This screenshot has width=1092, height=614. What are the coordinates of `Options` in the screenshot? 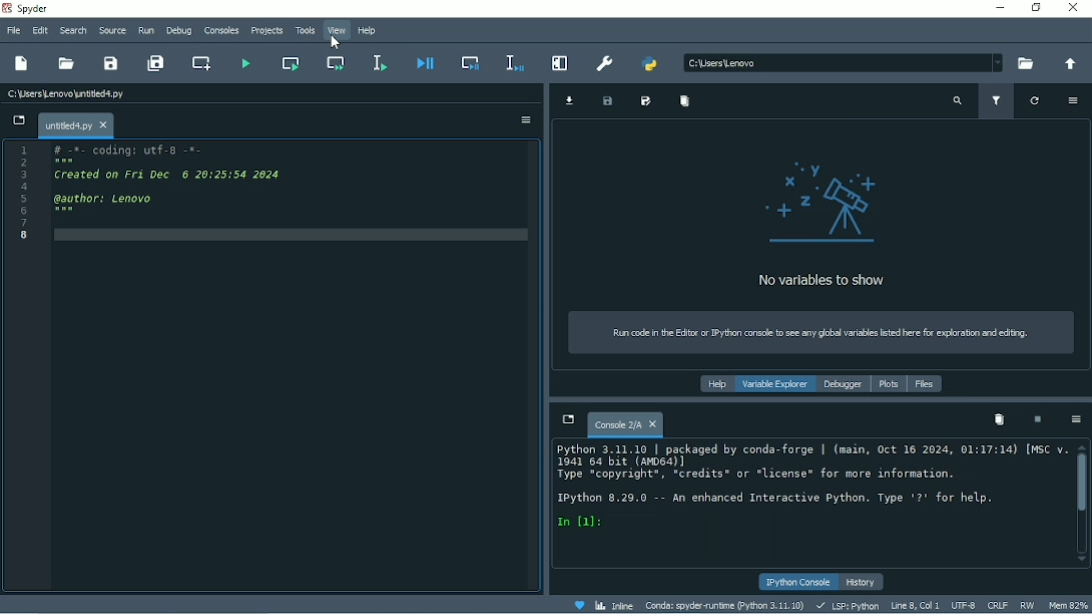 It's located at (525, 122).